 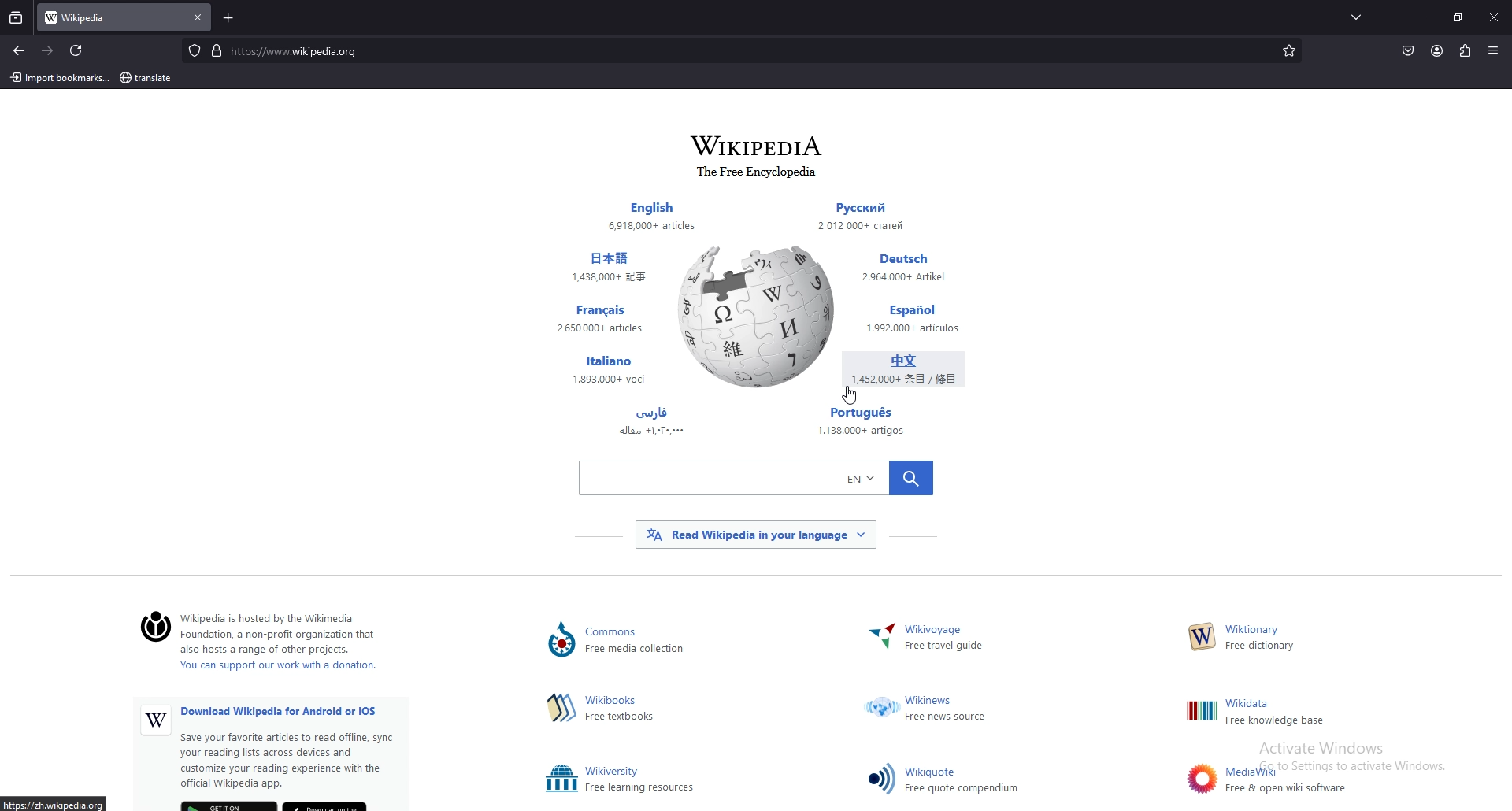 What do you see at coordinates (1421, 17) in the screenshot?
I see `minimize` at bounding box center [1421, 17].